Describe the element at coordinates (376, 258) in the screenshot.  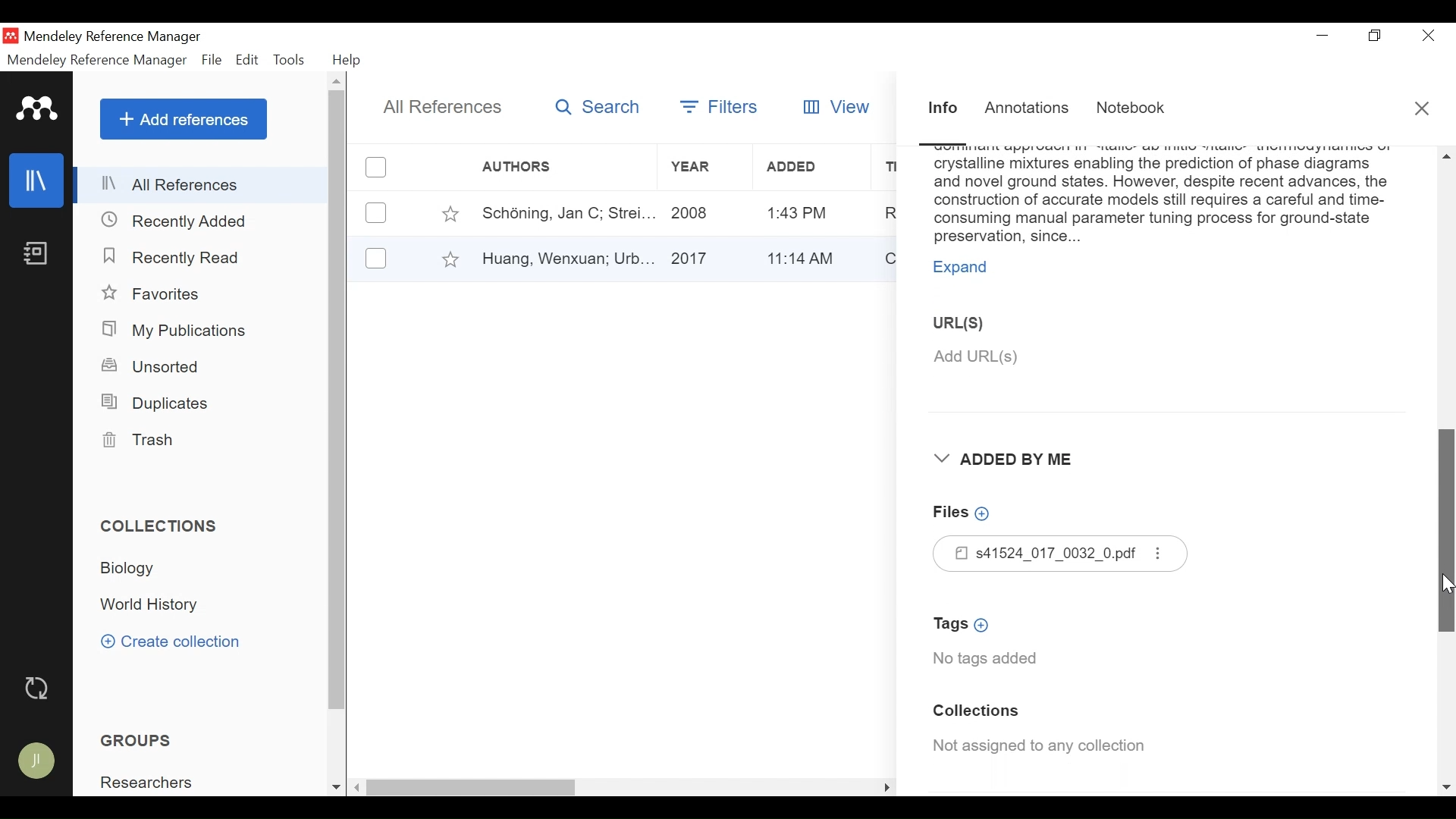
I see `(un)select` at that location.